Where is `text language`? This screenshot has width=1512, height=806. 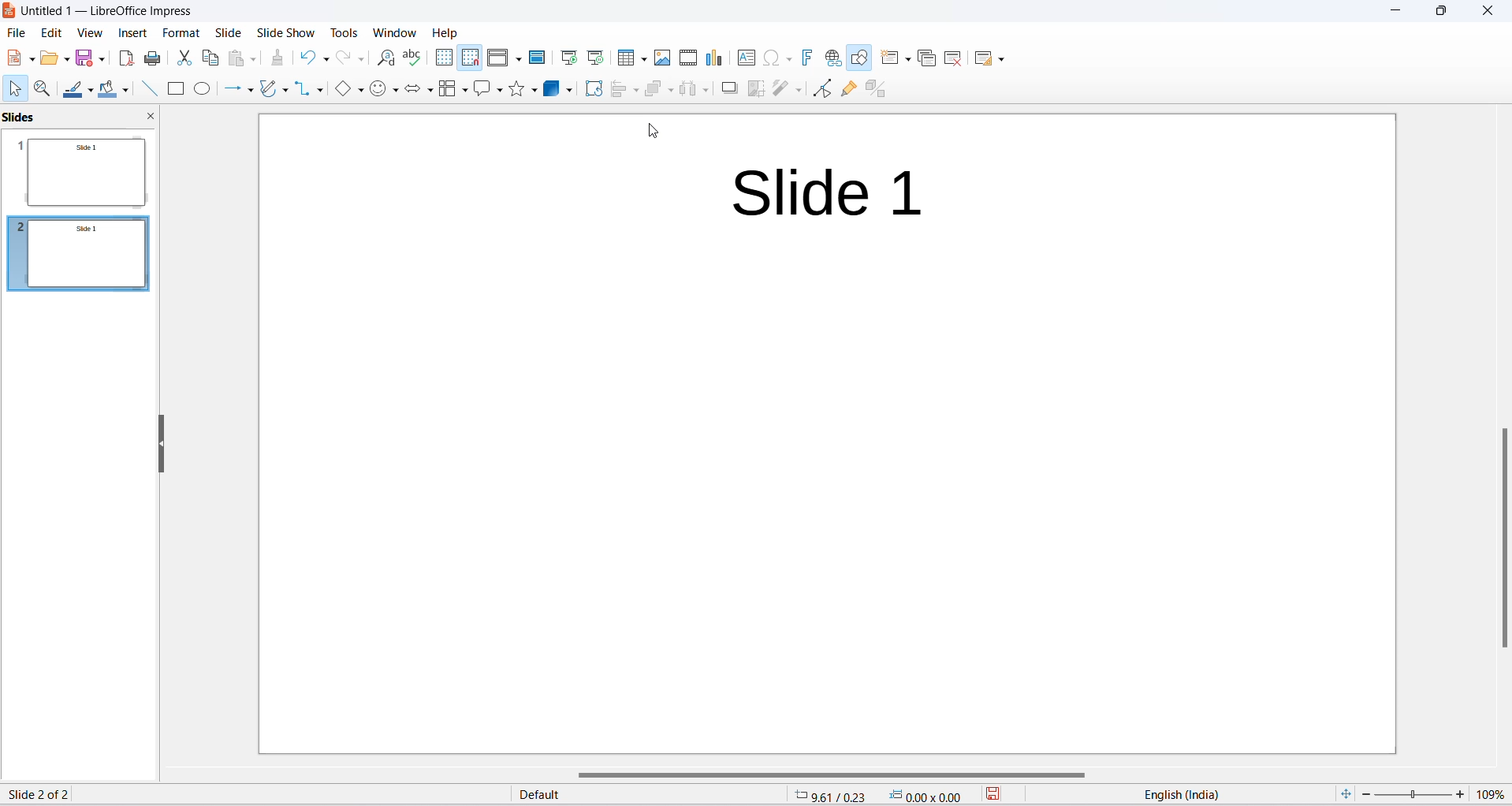 text language is located at coordinates (1204, 794).